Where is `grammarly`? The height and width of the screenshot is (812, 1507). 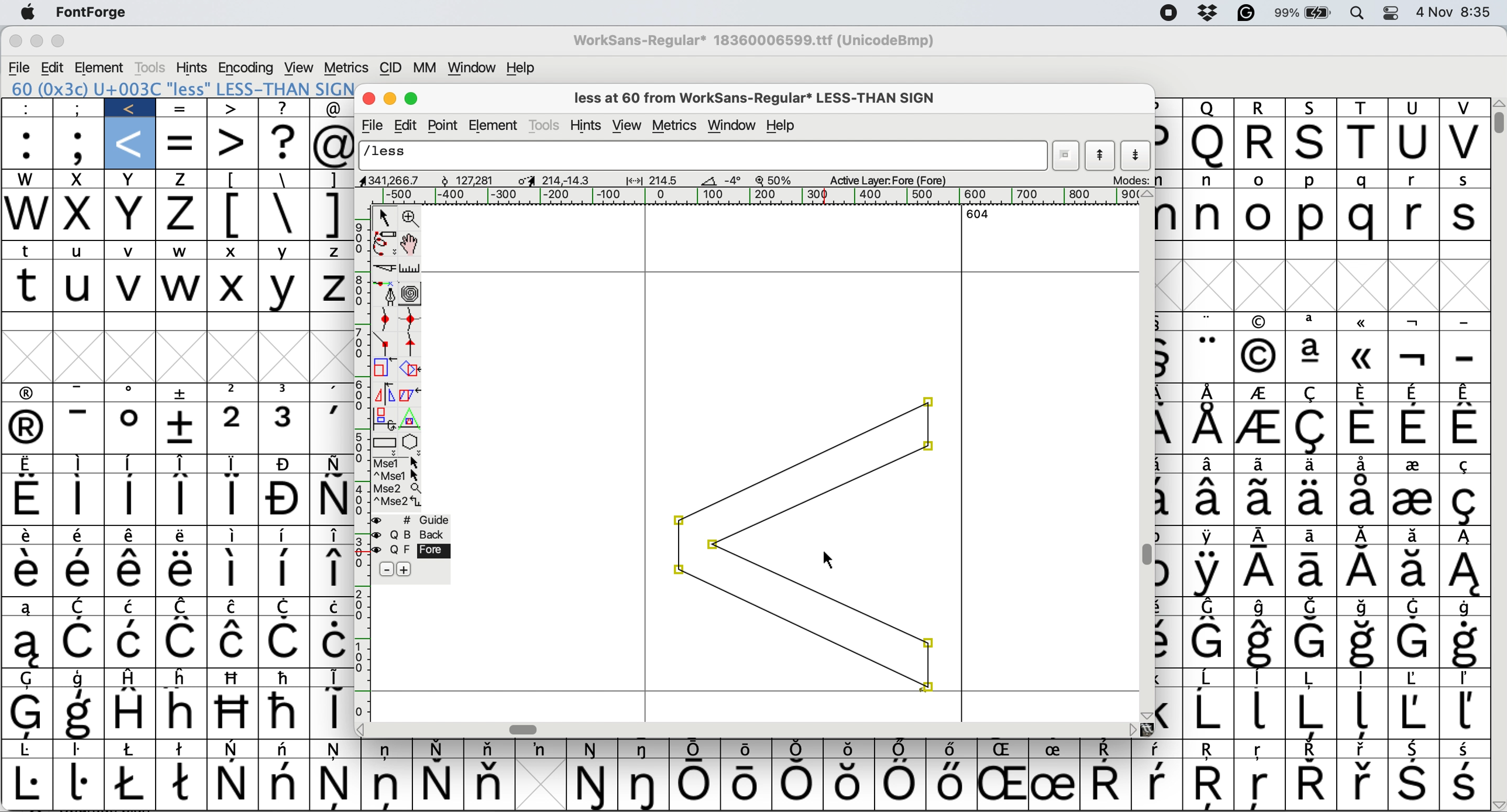 grammarly is located at coordinates (1245, 13).